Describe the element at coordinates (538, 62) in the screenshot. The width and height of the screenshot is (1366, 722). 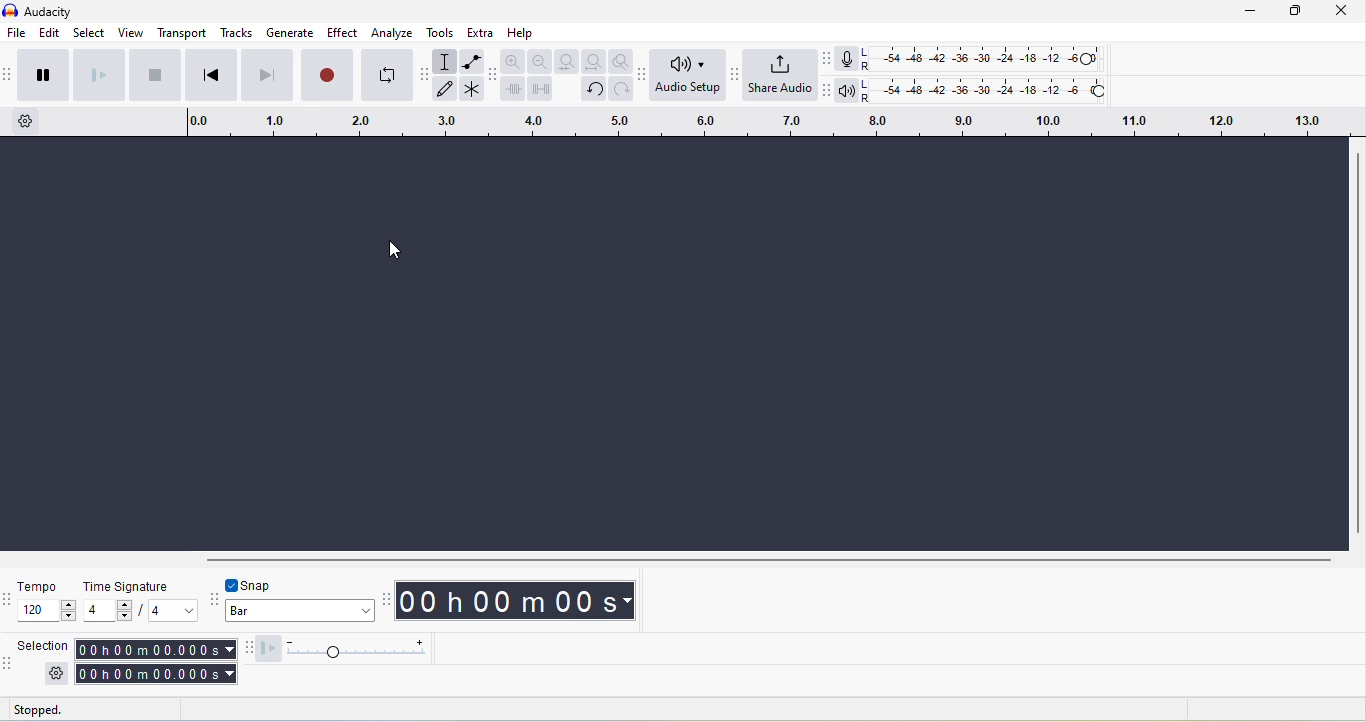
I see `zoom out` at that location.